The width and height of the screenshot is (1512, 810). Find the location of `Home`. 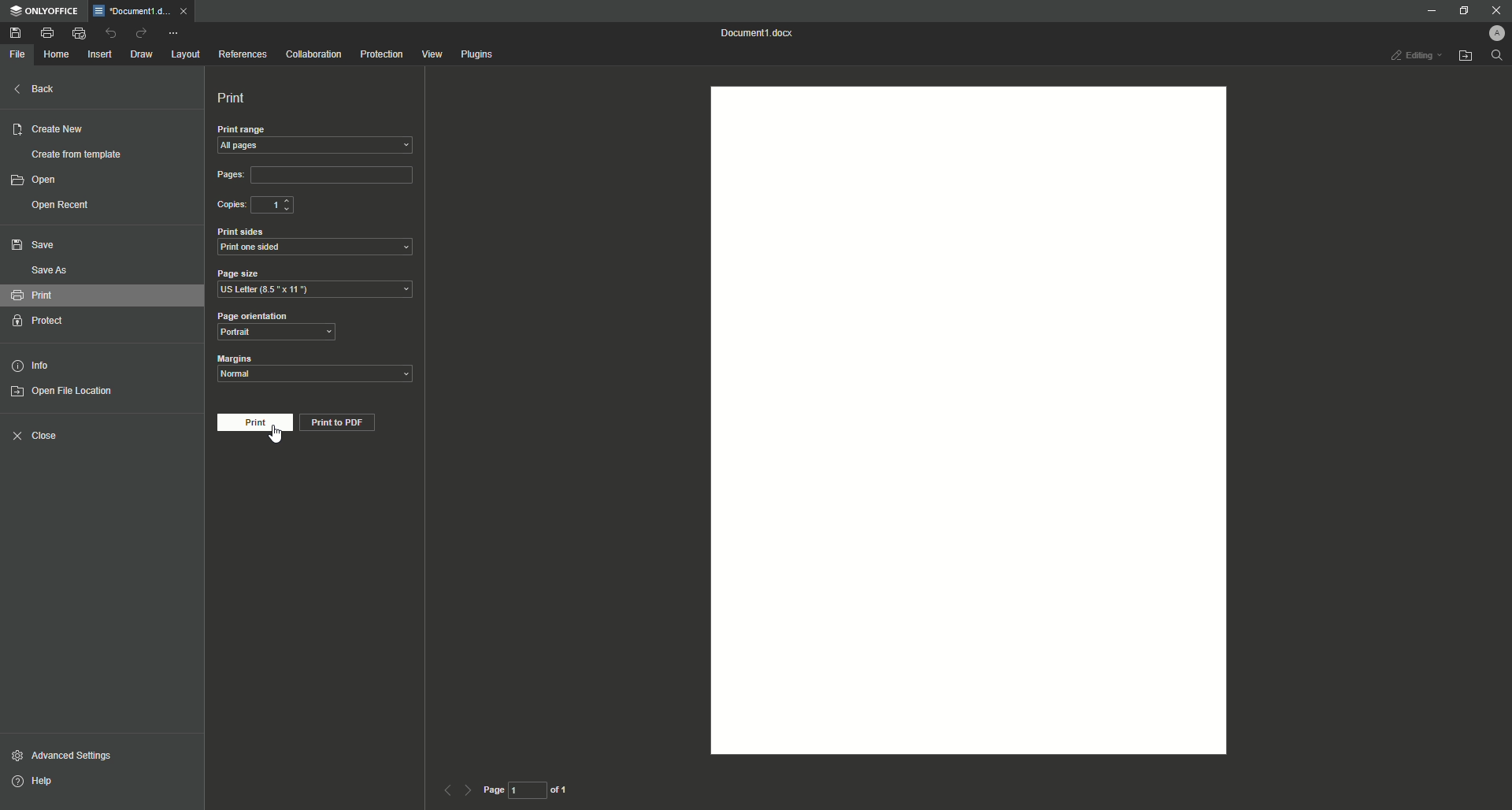

Home is located at coordinates (56, 54).